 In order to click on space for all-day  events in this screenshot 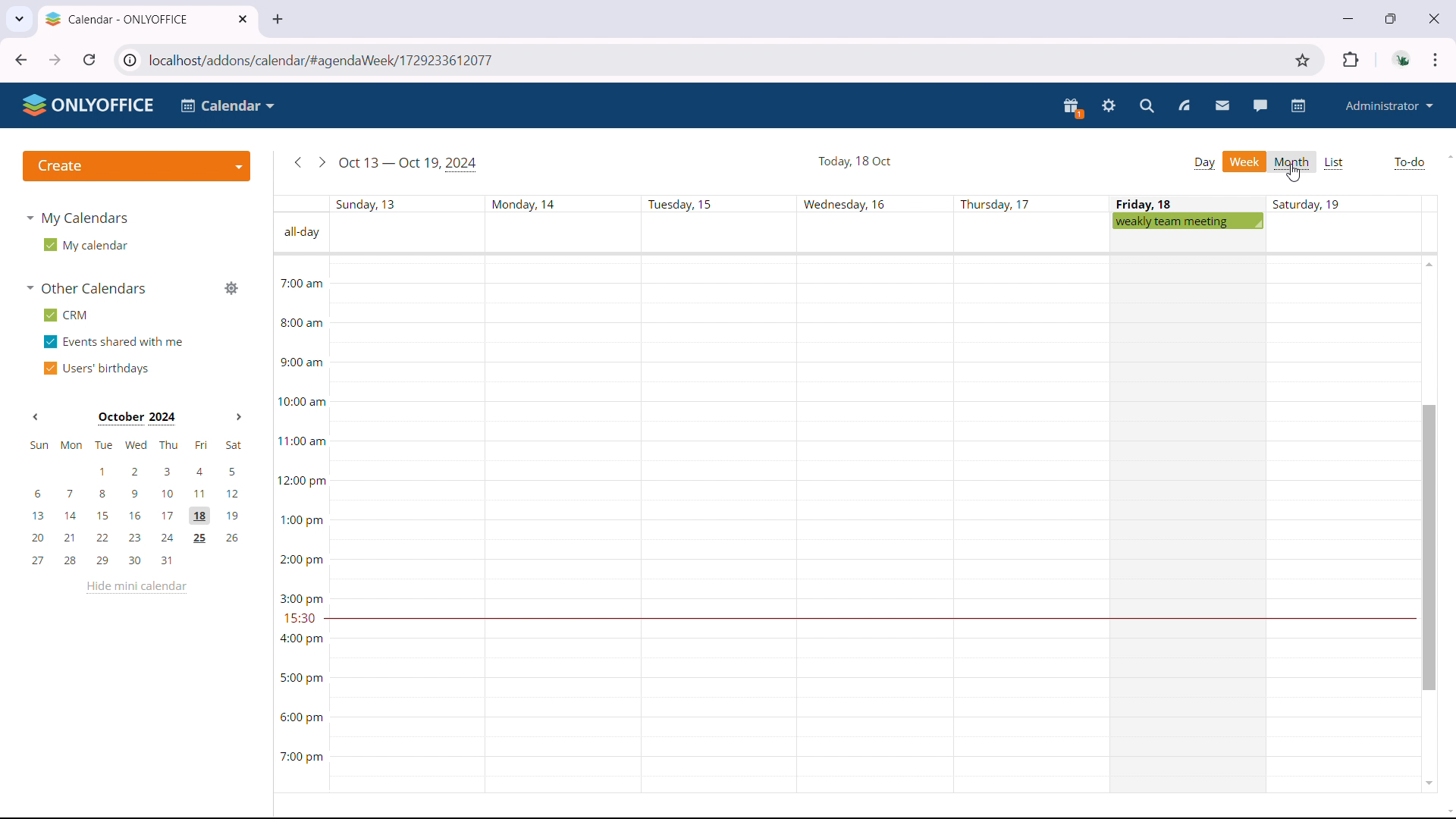, I will do `click(855, 240)`.